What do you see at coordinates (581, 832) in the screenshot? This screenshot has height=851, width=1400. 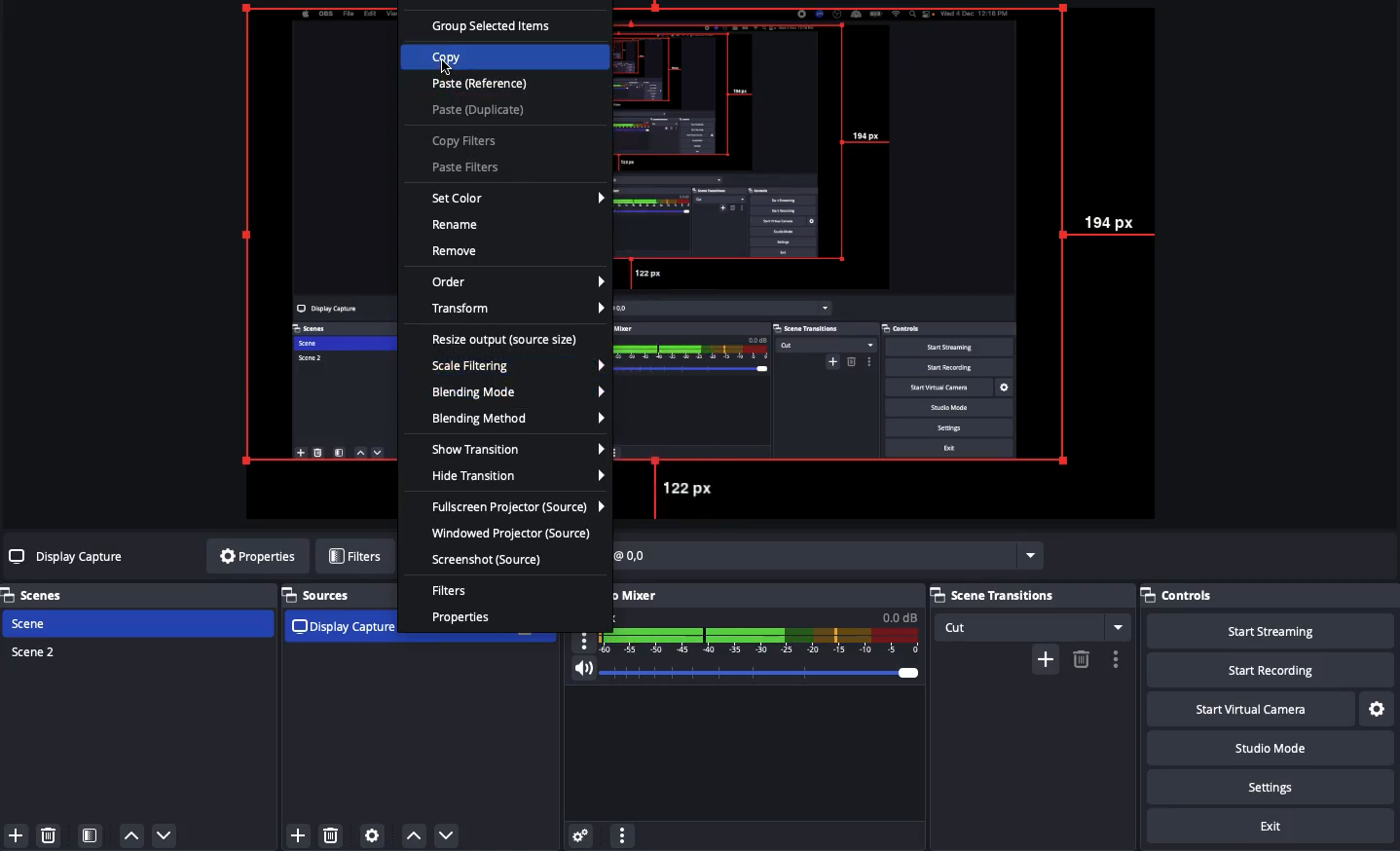 I see `Advanced audio properties` at bounding box center [581, 832].